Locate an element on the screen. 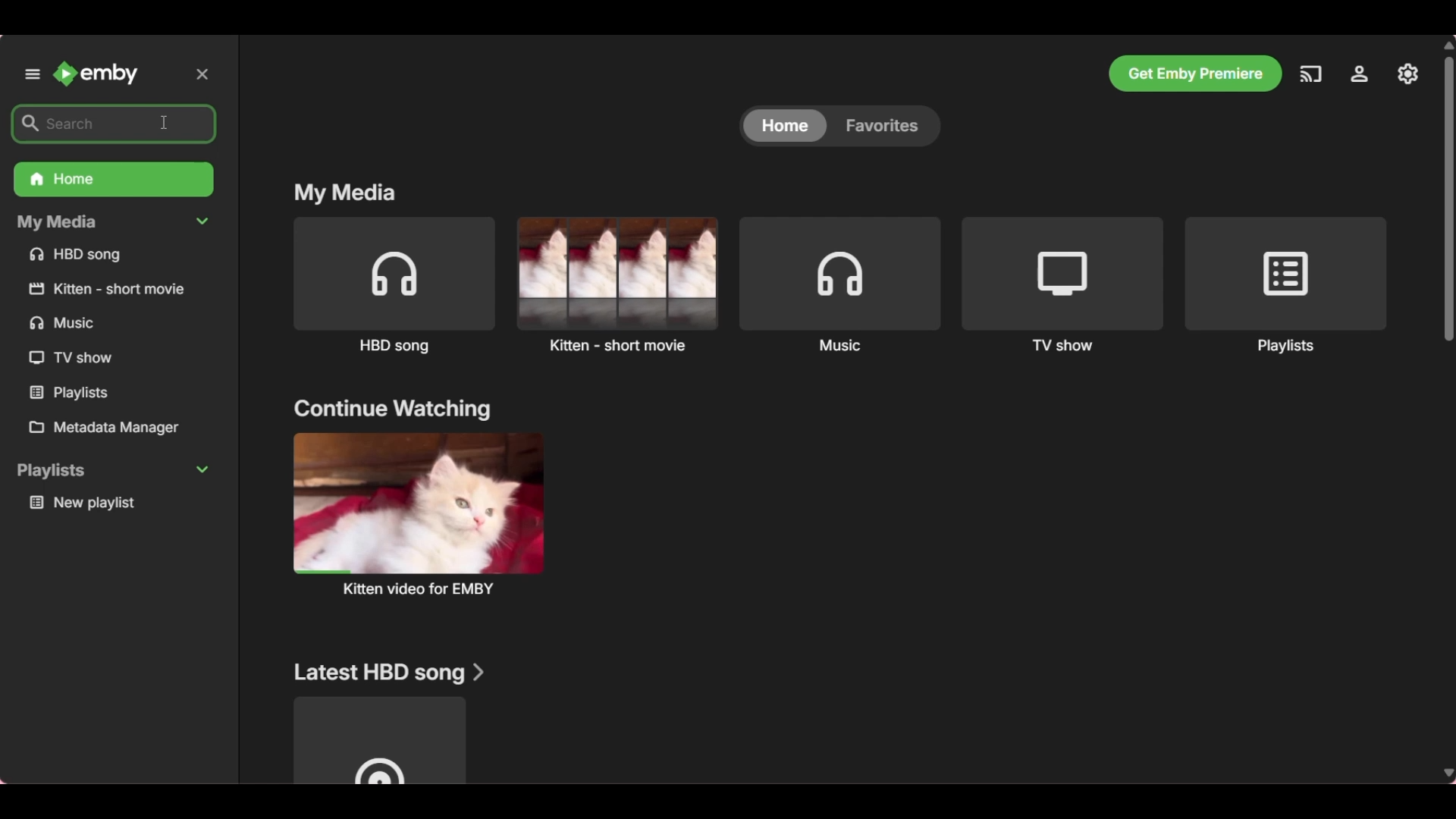 The height and width of the screenshot is (819, 1456). My Media is located at coordinates (114, 223).